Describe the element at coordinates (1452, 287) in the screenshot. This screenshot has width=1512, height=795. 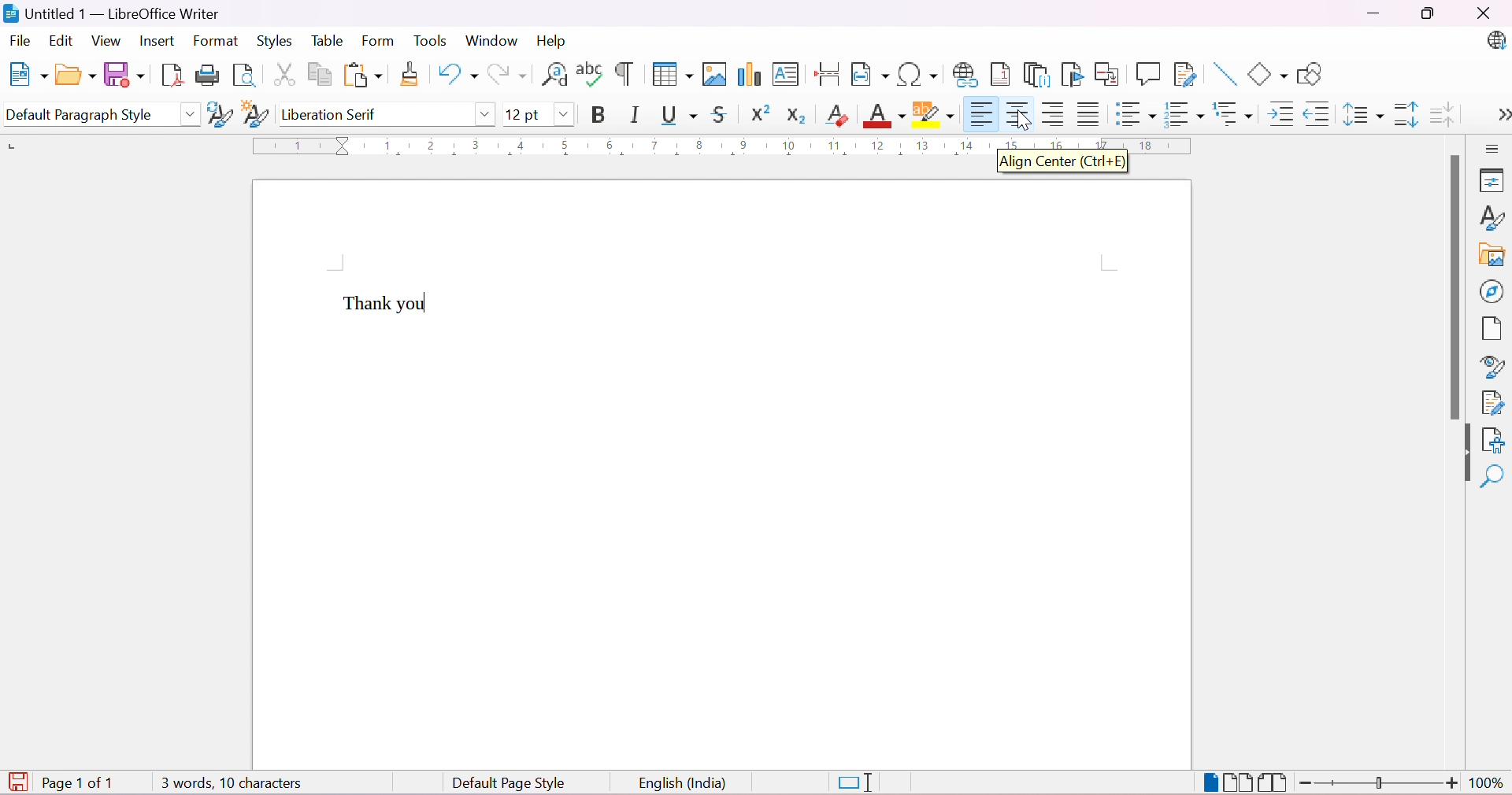
I see `Scroll Bar` at that location.